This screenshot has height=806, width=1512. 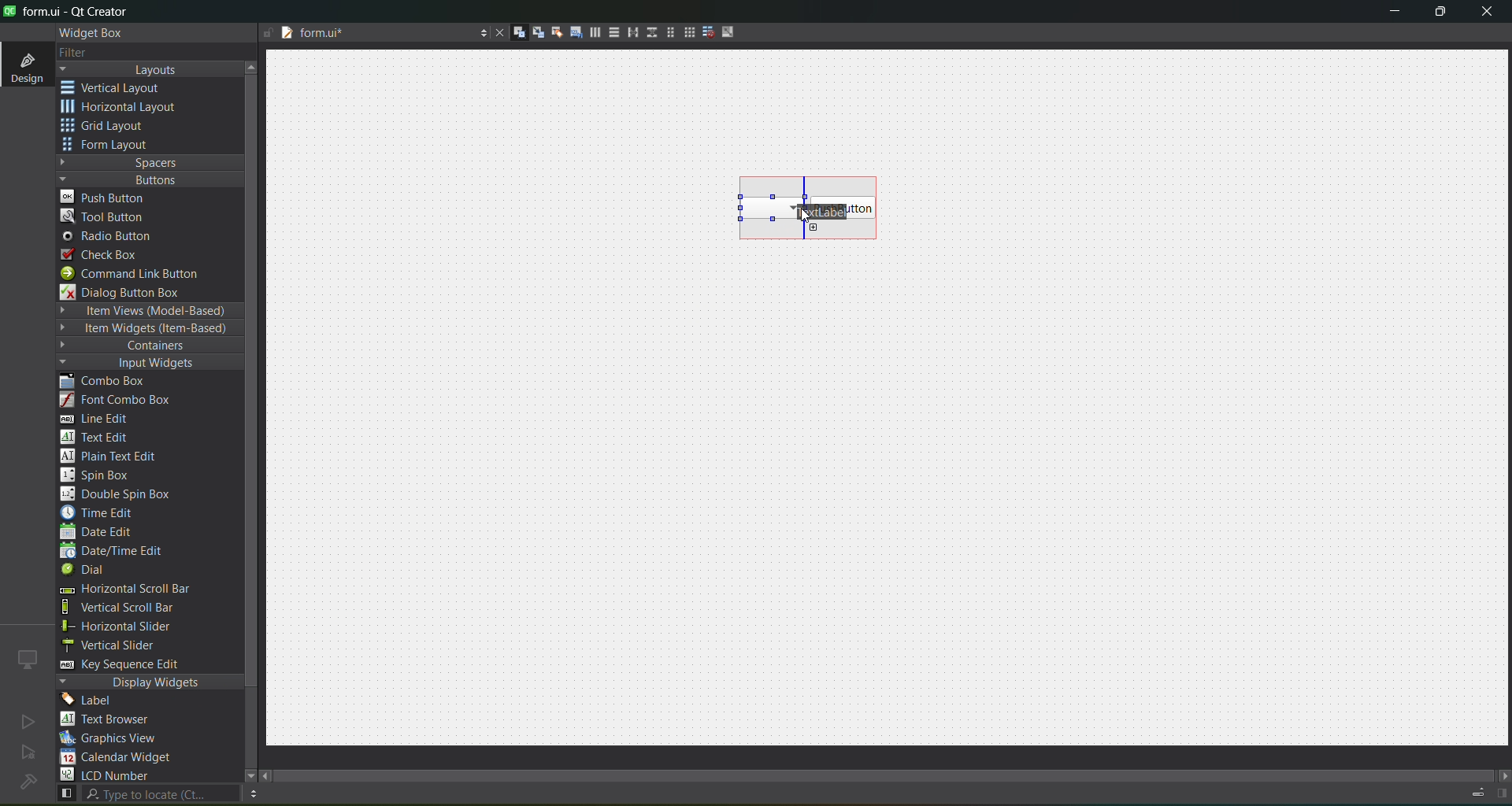 What do you see at coordinates (103, 475) in the screenshot?
I see `spin box` at bounding box center [103, 475].